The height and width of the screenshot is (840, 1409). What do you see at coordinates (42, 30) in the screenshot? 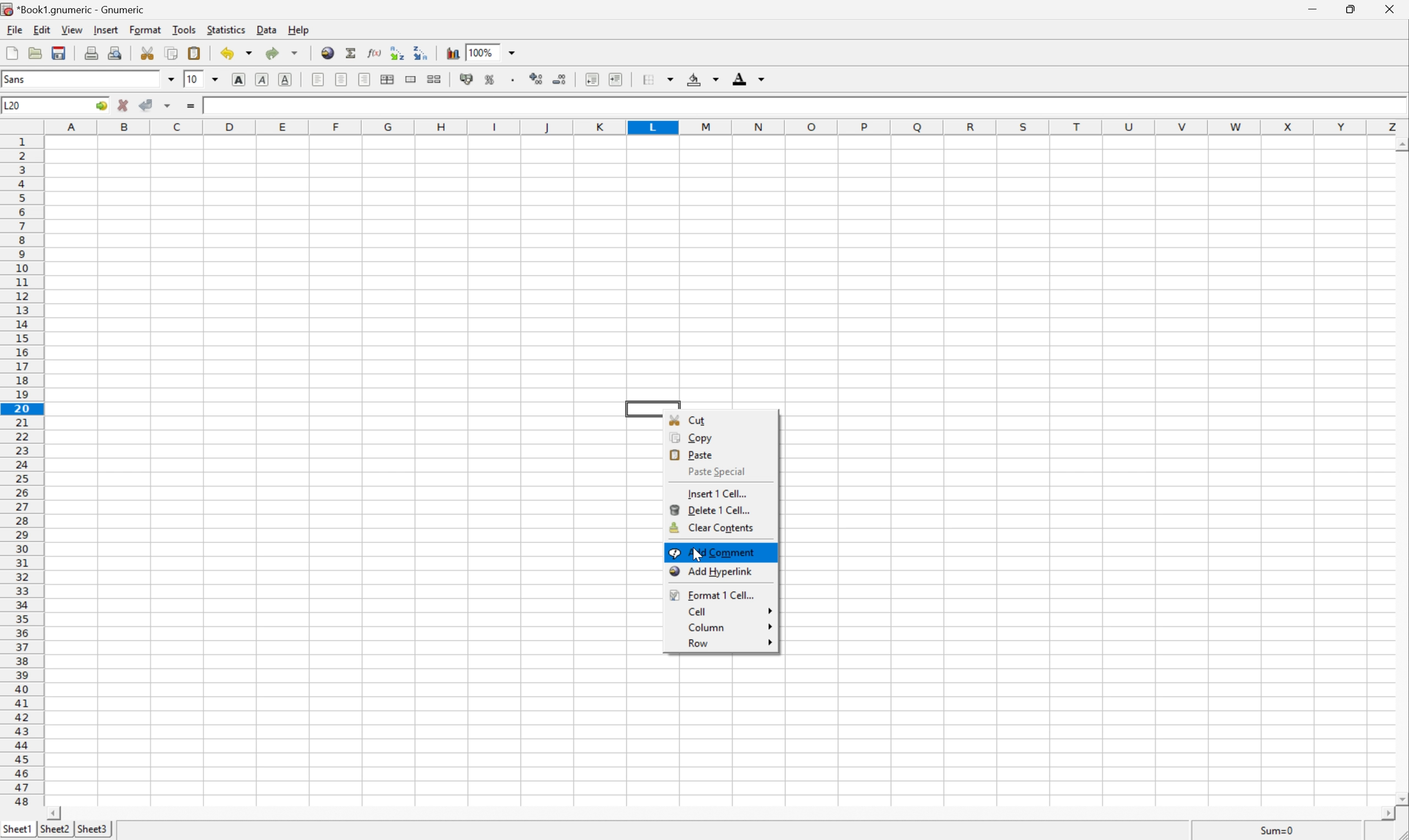
I see `Edit` at bounding box center [42, 30].